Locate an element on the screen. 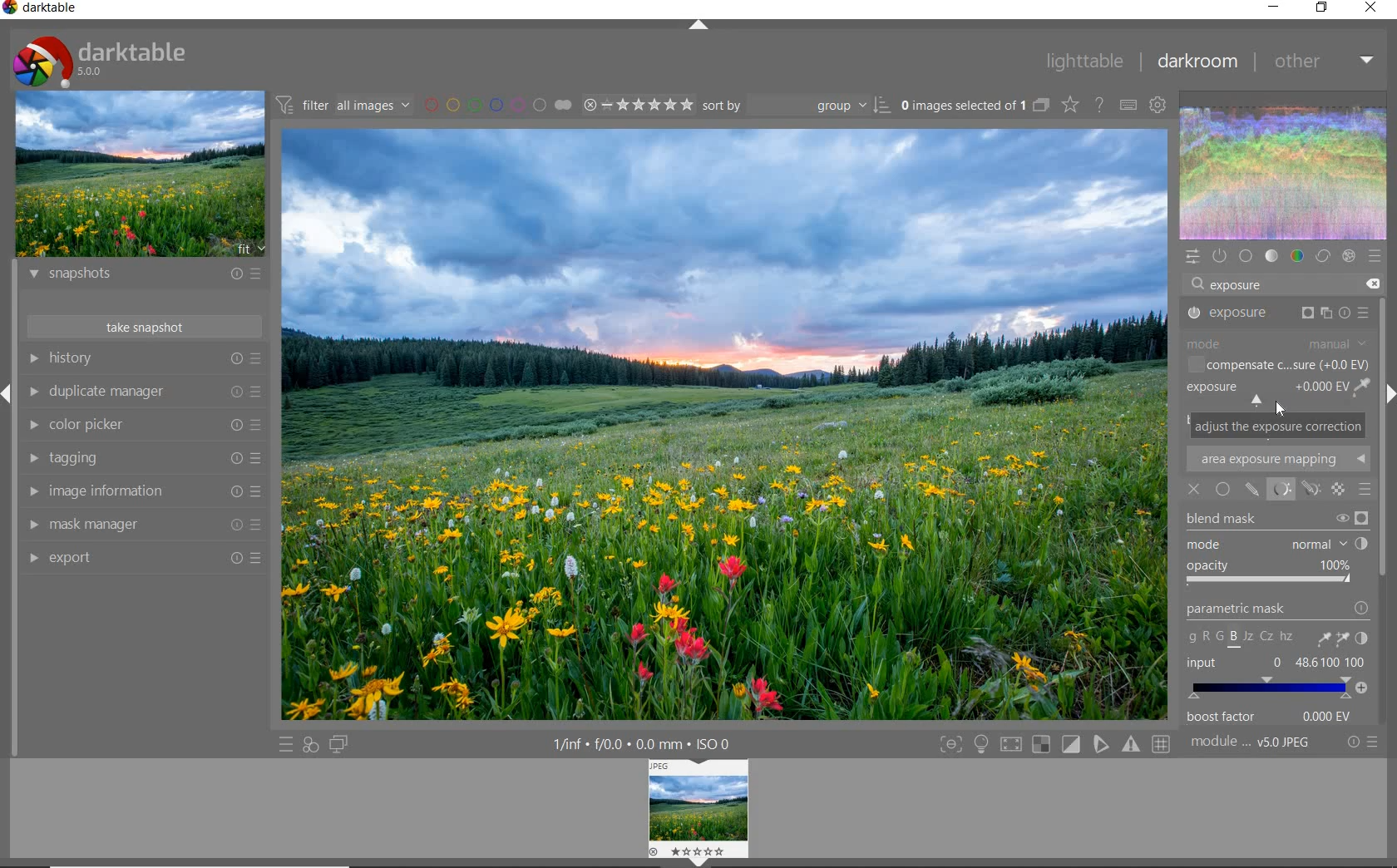 The width and height of the screenshot is (1397, 868). parametric mask is located at coordinates (1278, 625).